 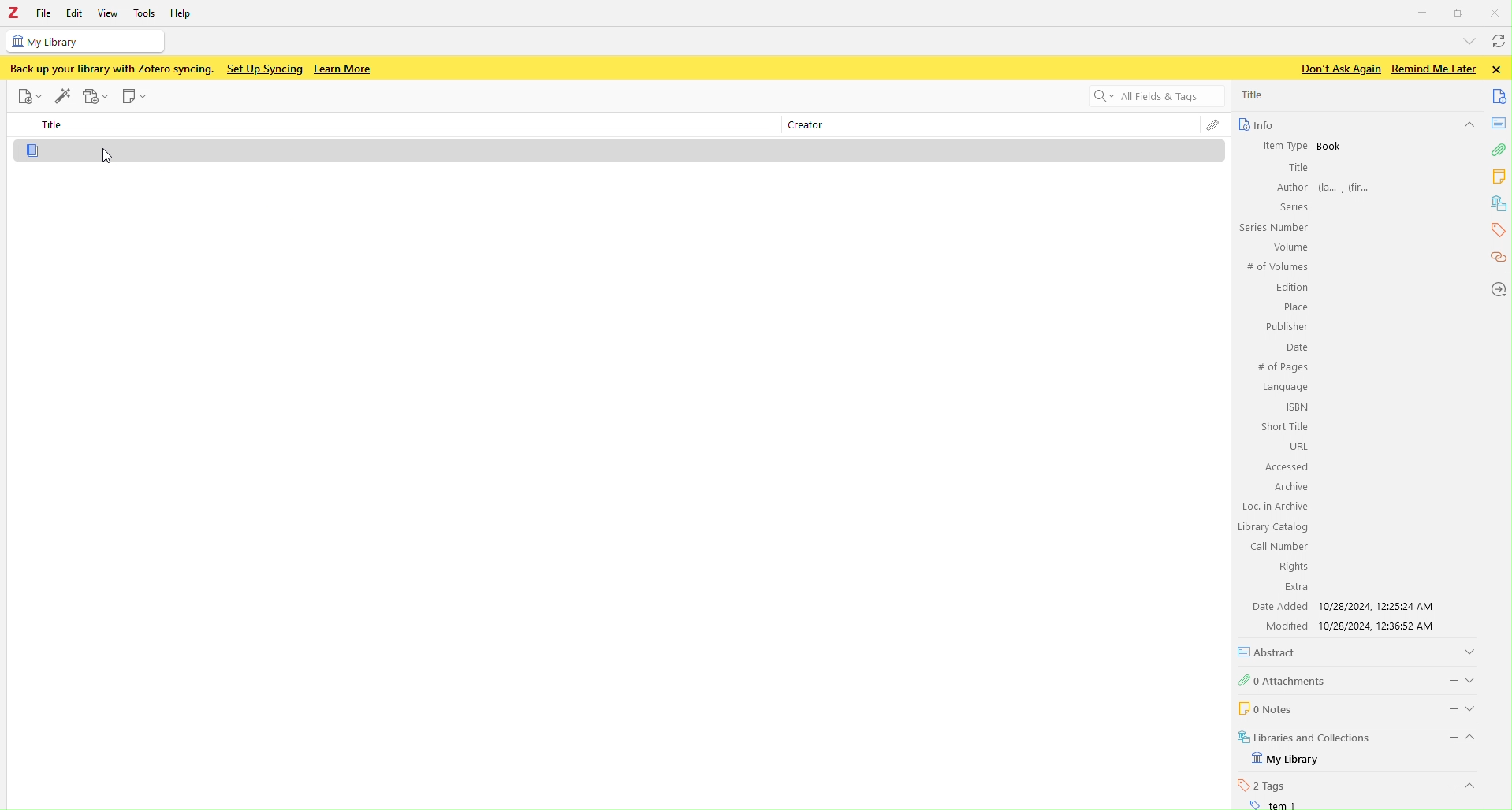 I want to click on close, so click(x=1499, y=69).